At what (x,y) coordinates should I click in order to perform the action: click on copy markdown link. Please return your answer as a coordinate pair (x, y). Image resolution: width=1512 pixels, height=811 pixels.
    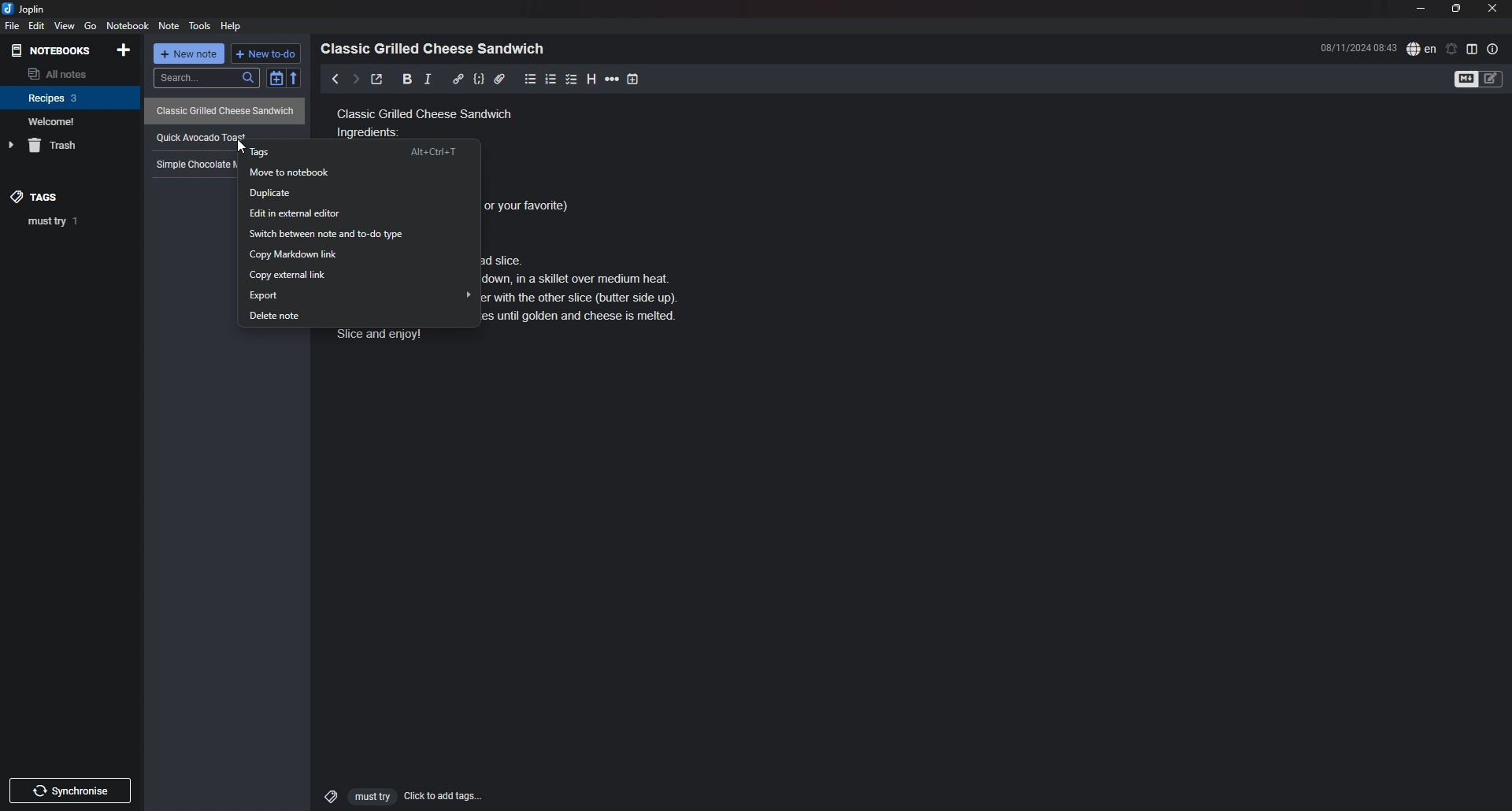
    Looking at the image, I should click on (358, 254).